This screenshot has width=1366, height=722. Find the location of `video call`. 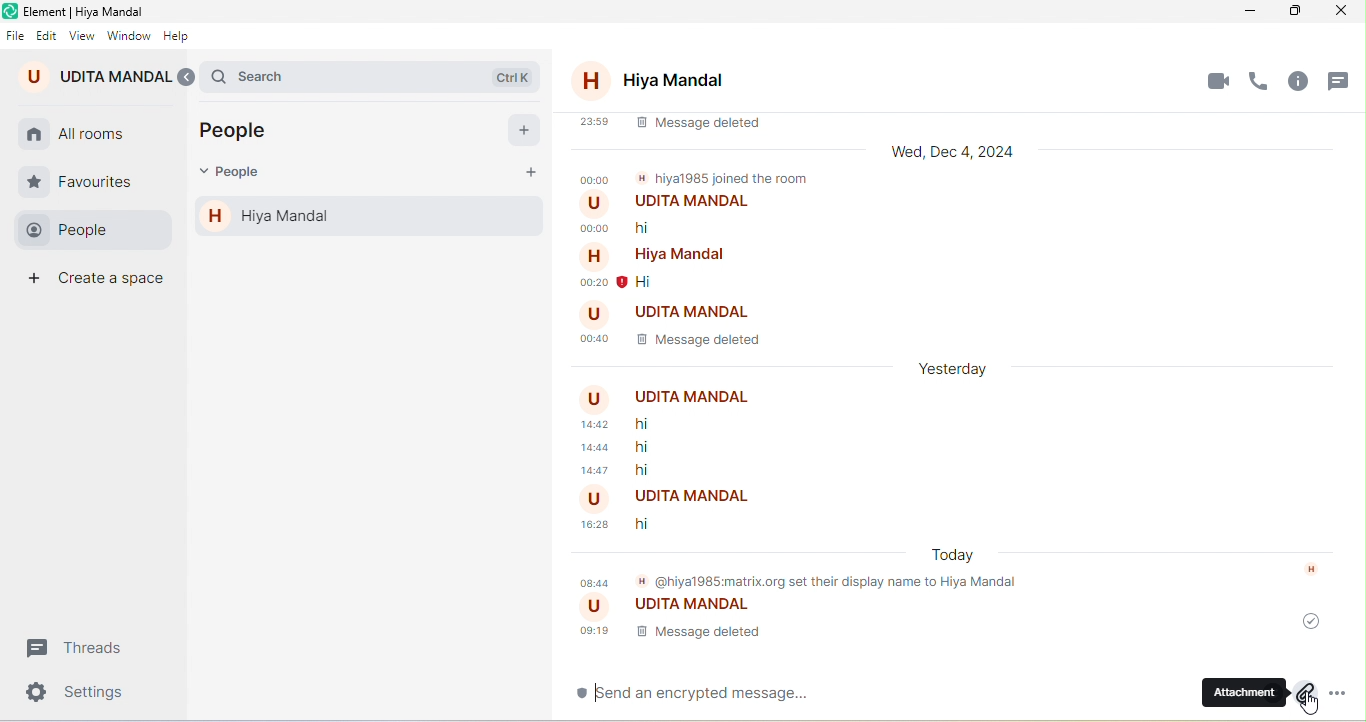

video call is located at coordinates (1218, 81).